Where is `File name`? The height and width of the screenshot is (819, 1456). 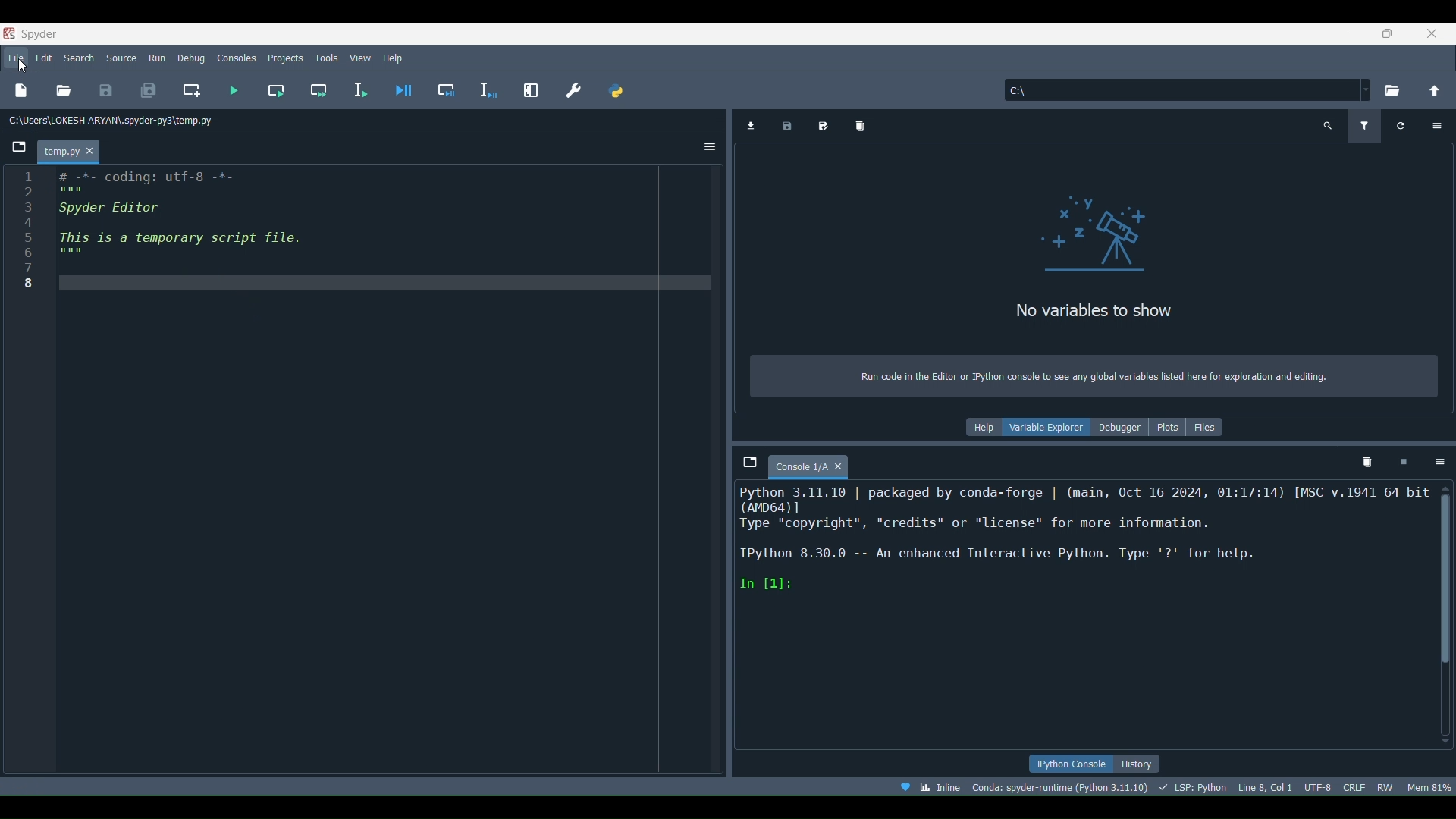 File name is located at coordinates (74, 149).